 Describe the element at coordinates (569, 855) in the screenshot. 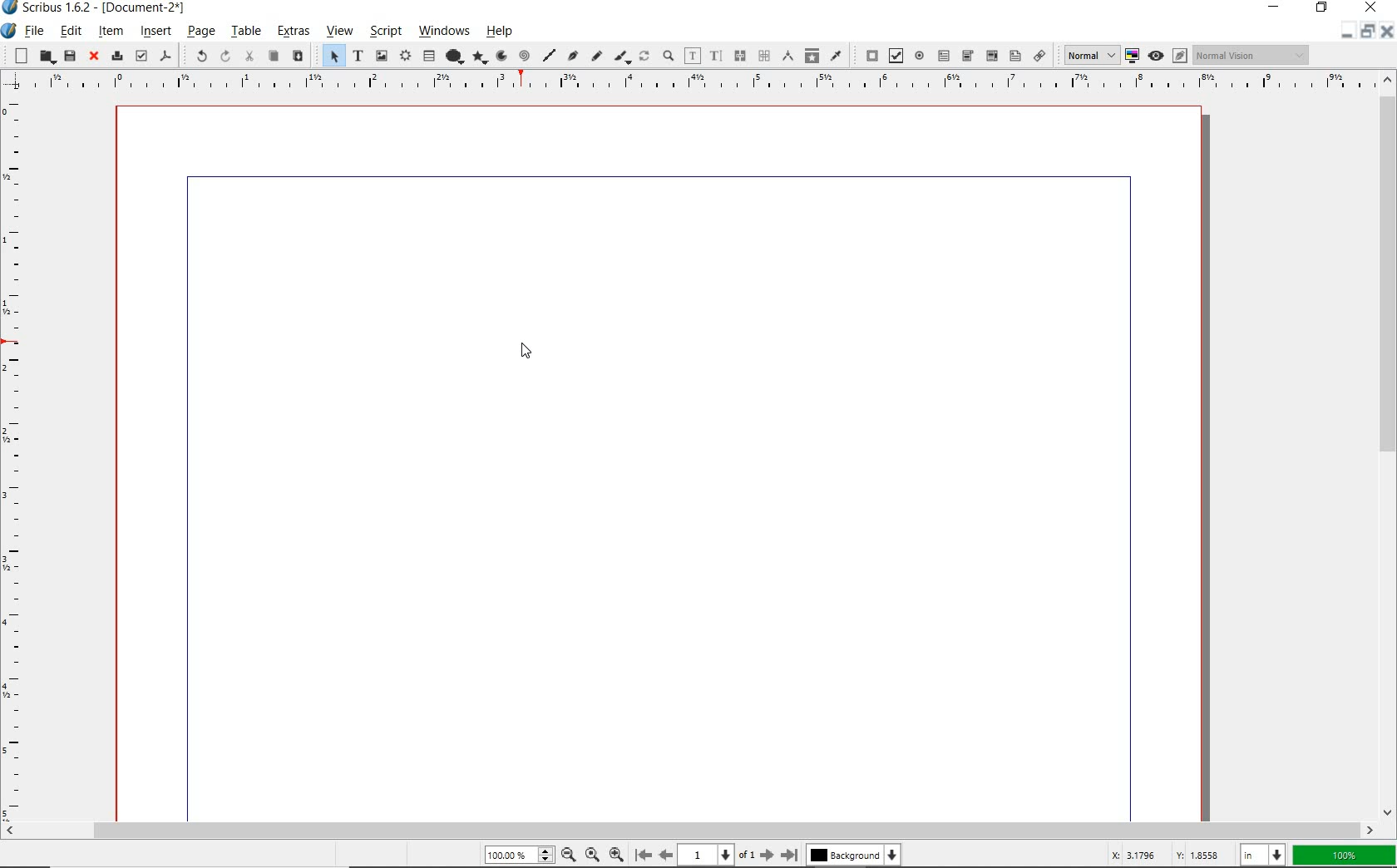

I see `zoom out` at that location.